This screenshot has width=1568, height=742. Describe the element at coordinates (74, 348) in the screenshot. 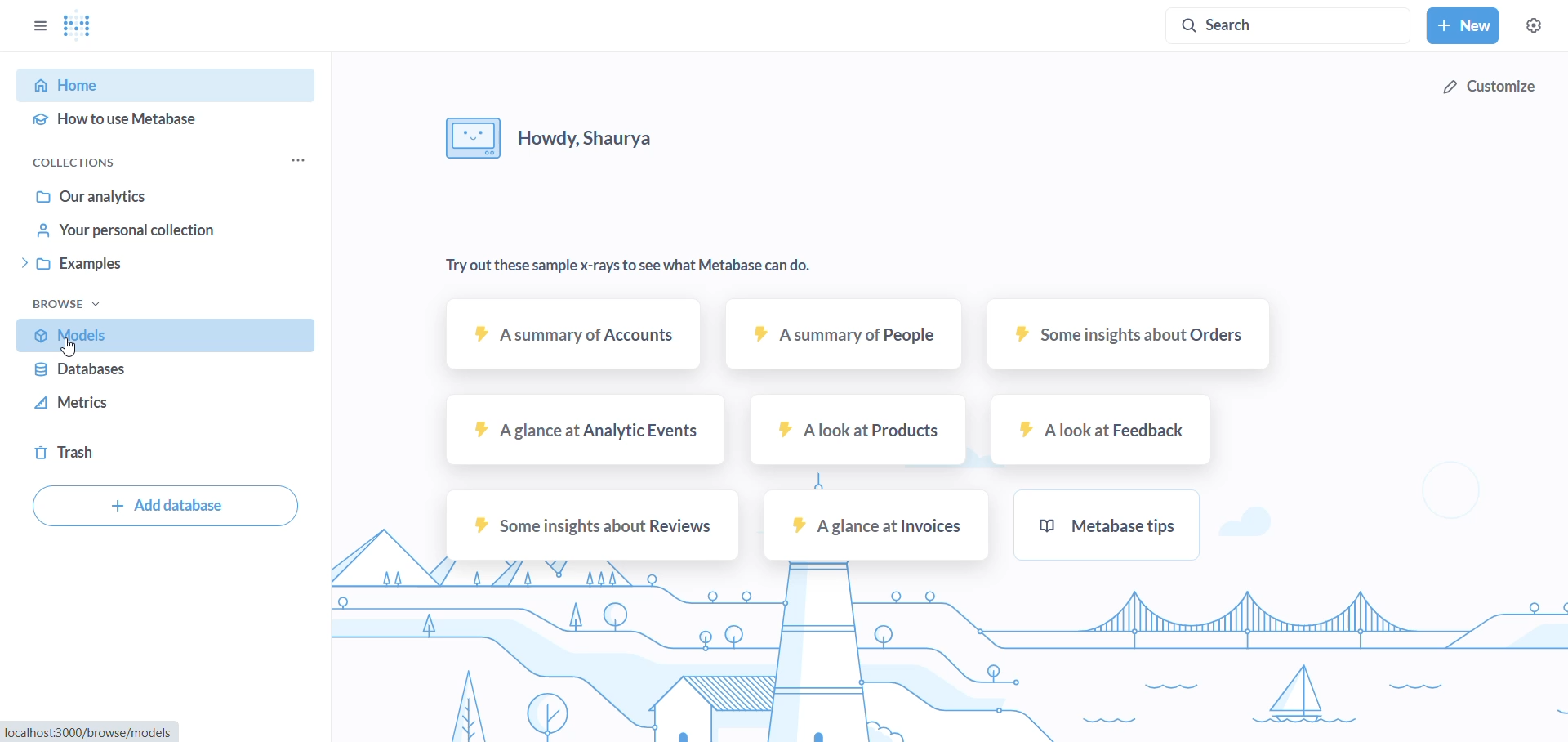

I see `cursor` at that location.